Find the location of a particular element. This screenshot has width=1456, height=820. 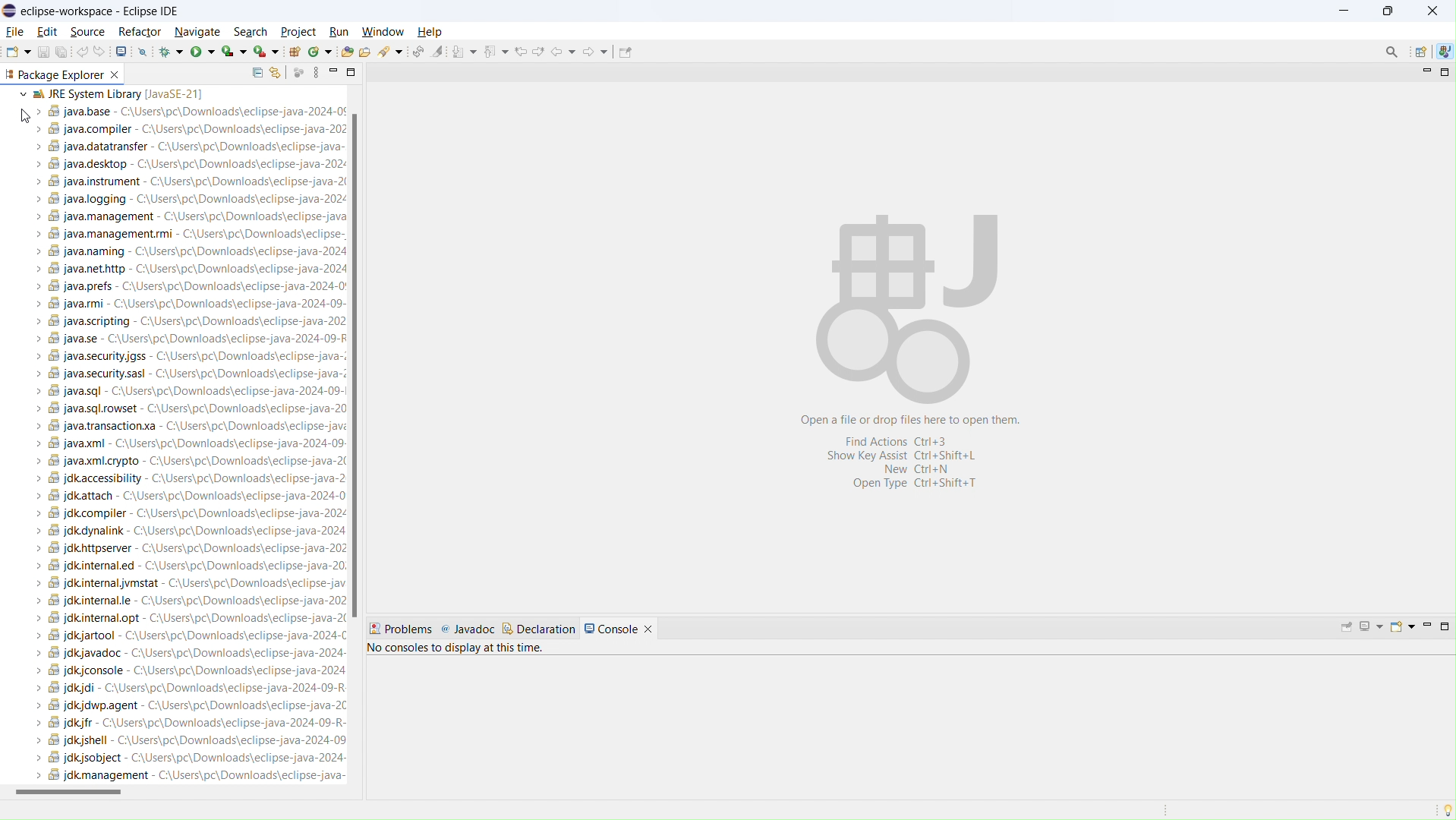

Open a file or drop files here to open them.
Find Actions Ctrl+3
Show Key Assist Ctrl+Shift+L
New Ctri+N
Open Type Ctrl ShiftsT is located at coordinates (920, 455).